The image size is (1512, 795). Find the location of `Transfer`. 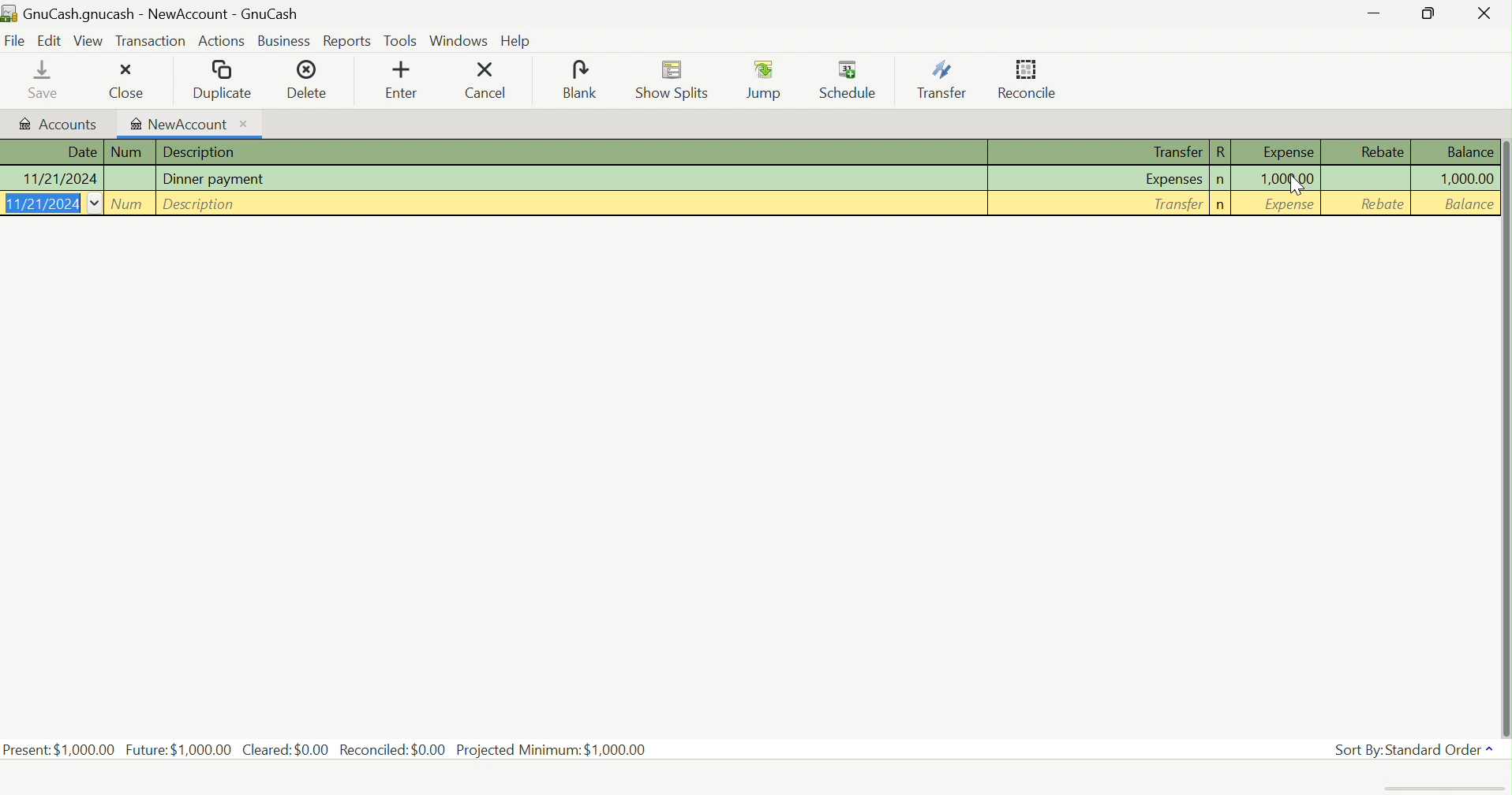

Transfer is located at coordinates (1176, 205).